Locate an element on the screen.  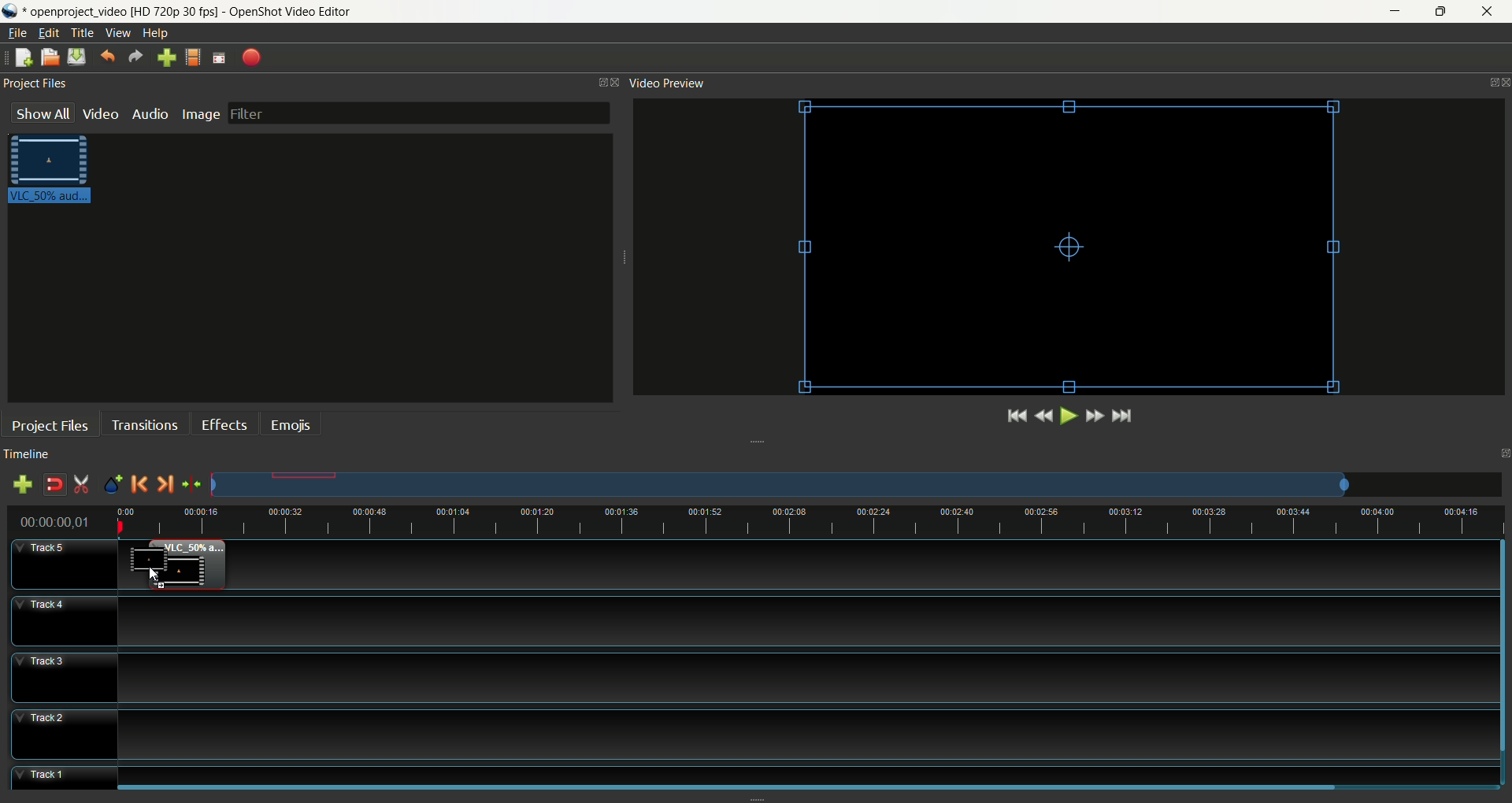
video preview is located at coordinates (665, 83).